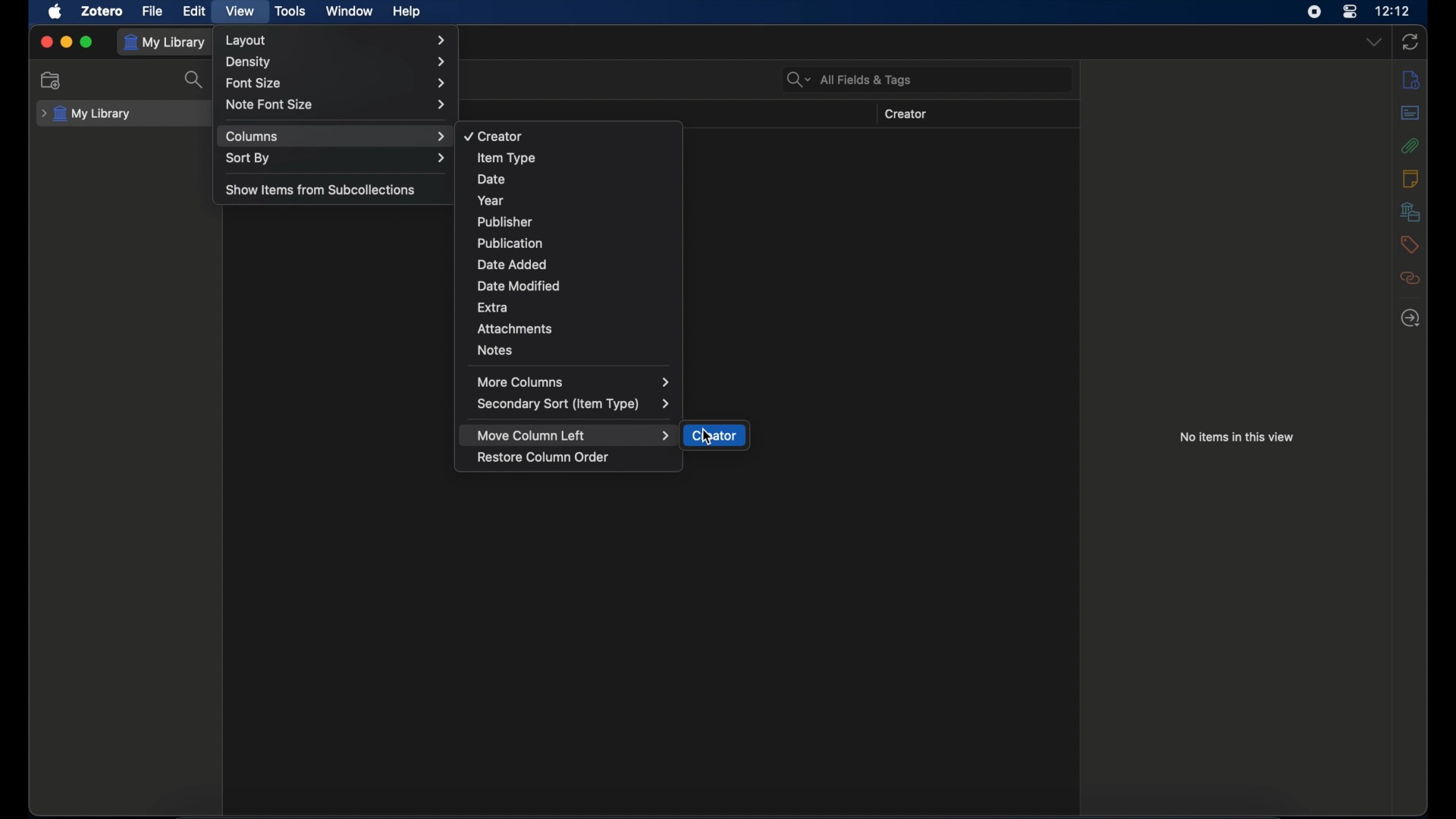 Image resolution: width=1456 pixels, height=819 pixels. What do you see at coordinates (1410, 42) in the screenshot?
I see `sync` at bounding box center [1410, 42].